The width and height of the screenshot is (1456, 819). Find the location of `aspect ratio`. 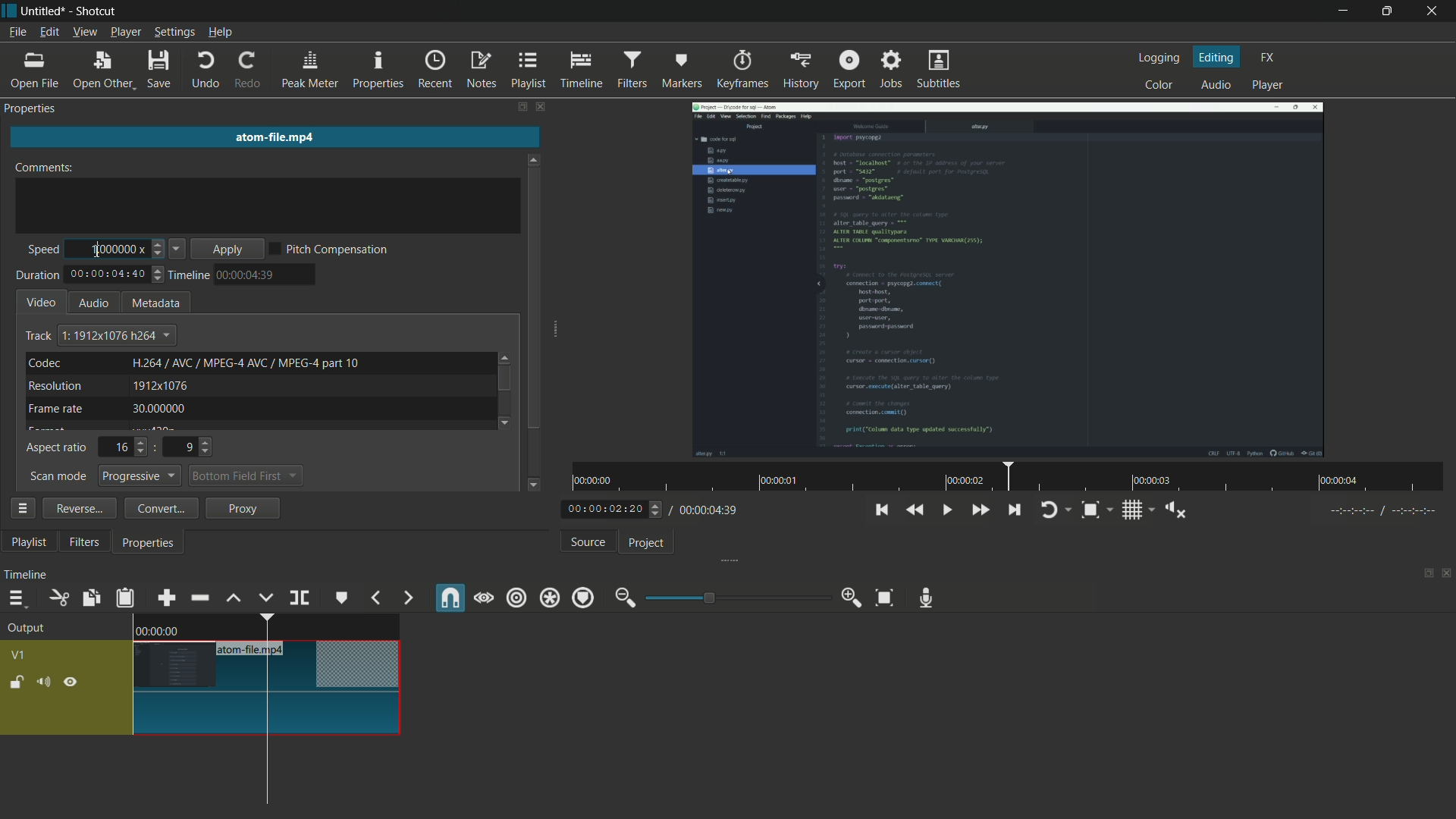

aspect ratio is located at coordinates (56, 448).